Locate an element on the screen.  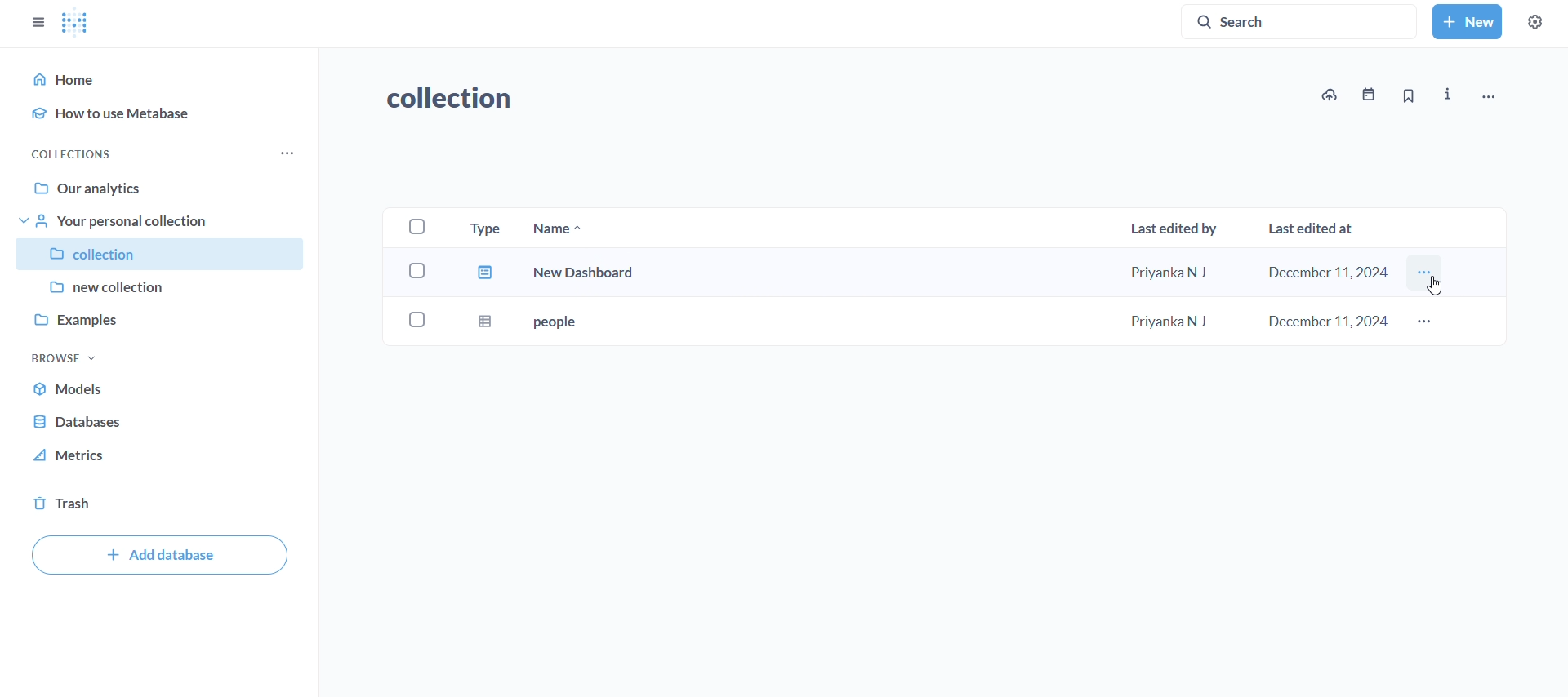
new collection is located at coordinates (159, 286).